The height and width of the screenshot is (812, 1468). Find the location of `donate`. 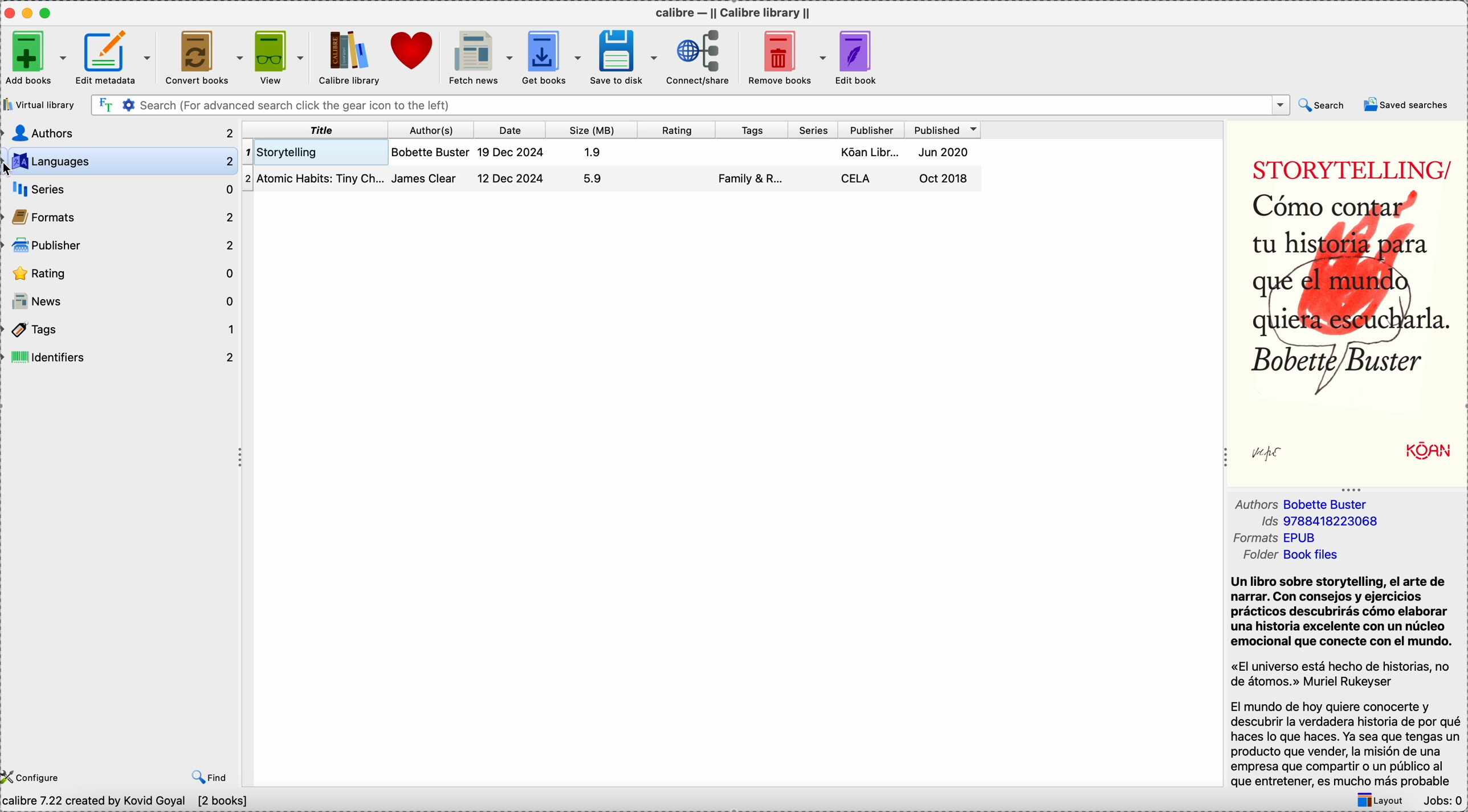

donate is located at coordinates (415, 50).